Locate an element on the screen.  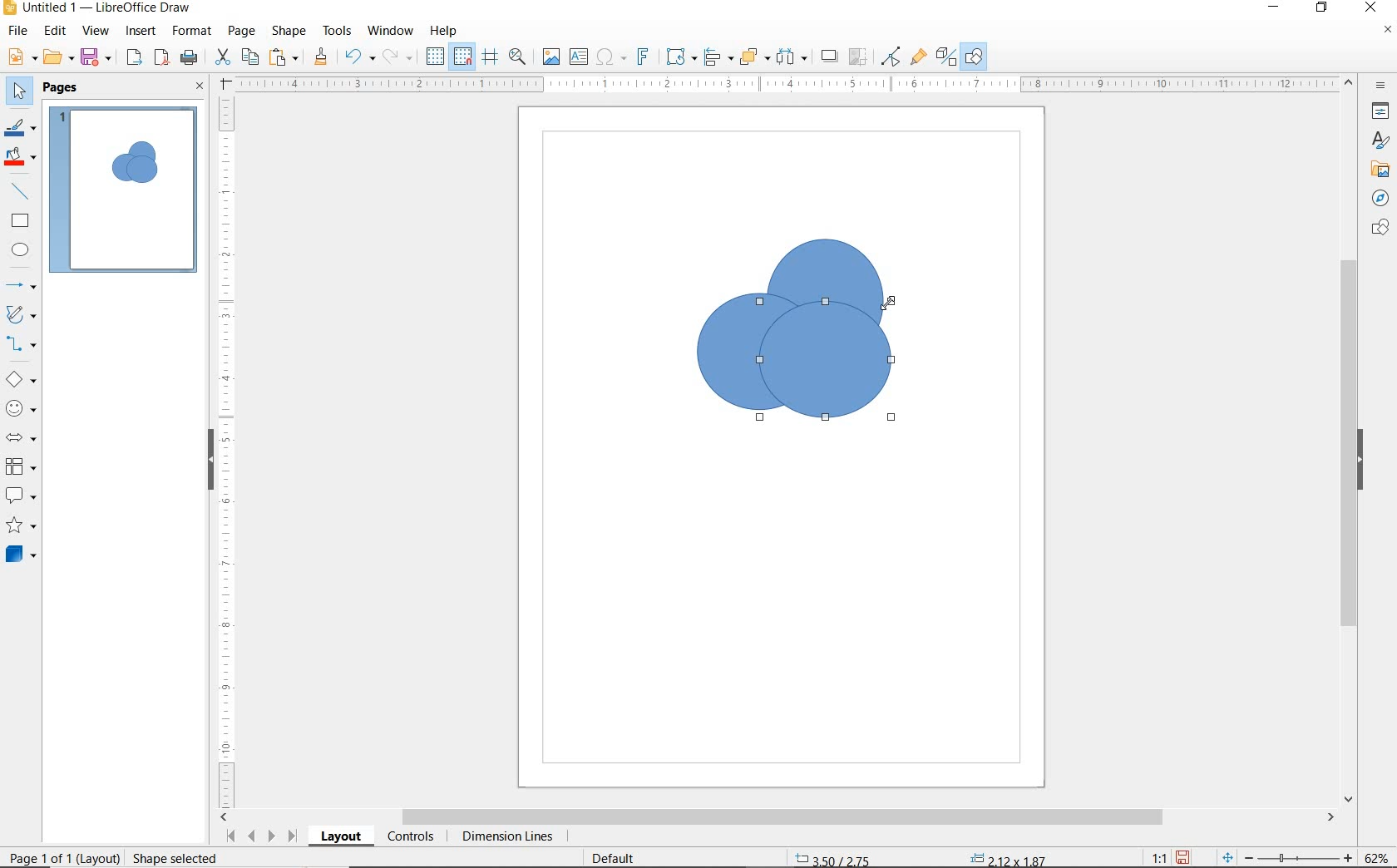
LAYOUT is located at coordinates (340, 839).